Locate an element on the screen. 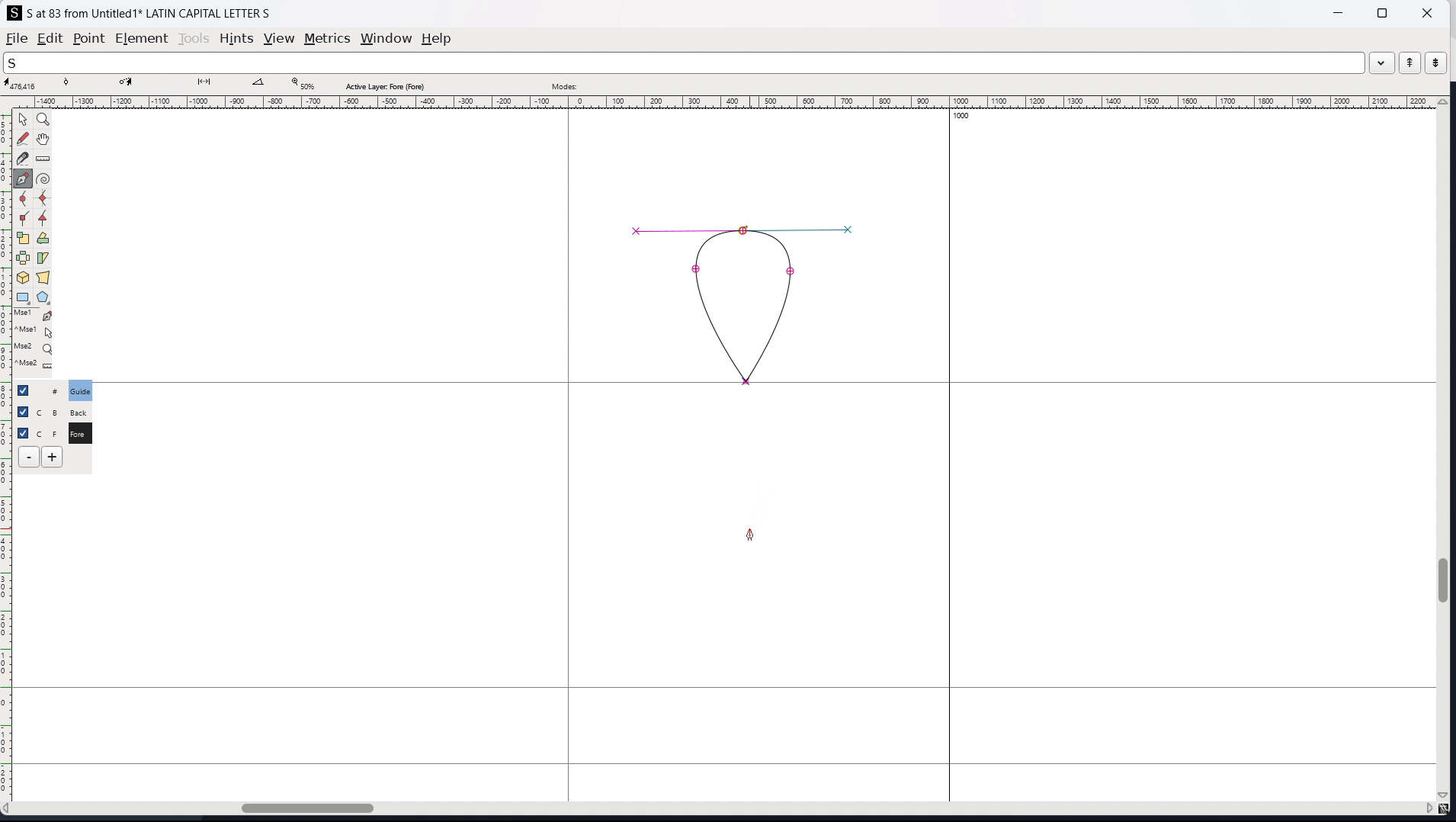 The height and width of the screenshot is (822, 1456). rectangle and ellipse is located at coordinates (24, 298).